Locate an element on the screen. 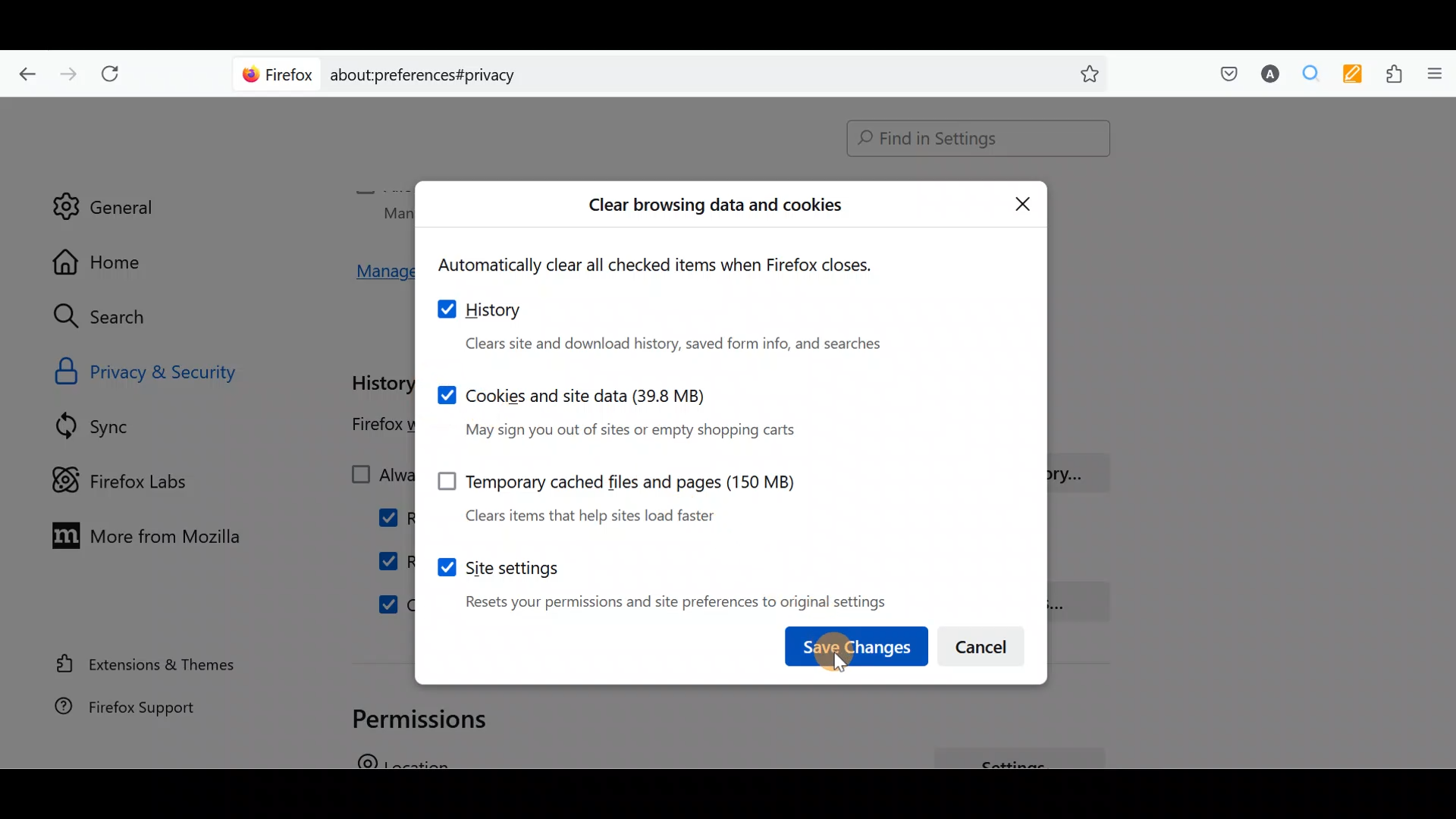  Click to select cookies and site data is located at coordinates (618, 409).